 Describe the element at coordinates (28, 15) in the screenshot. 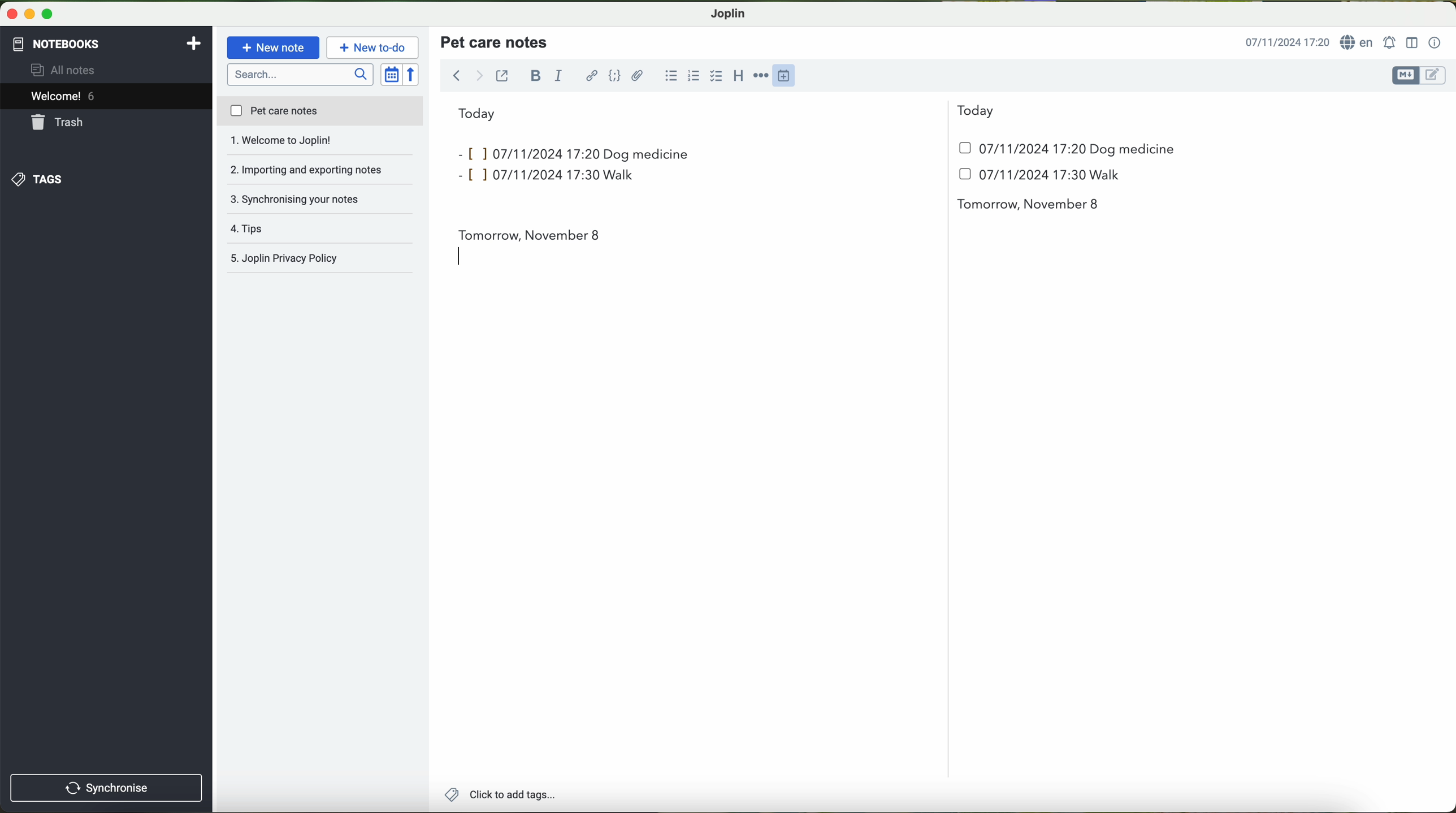

I see `screen buttons` at that location.